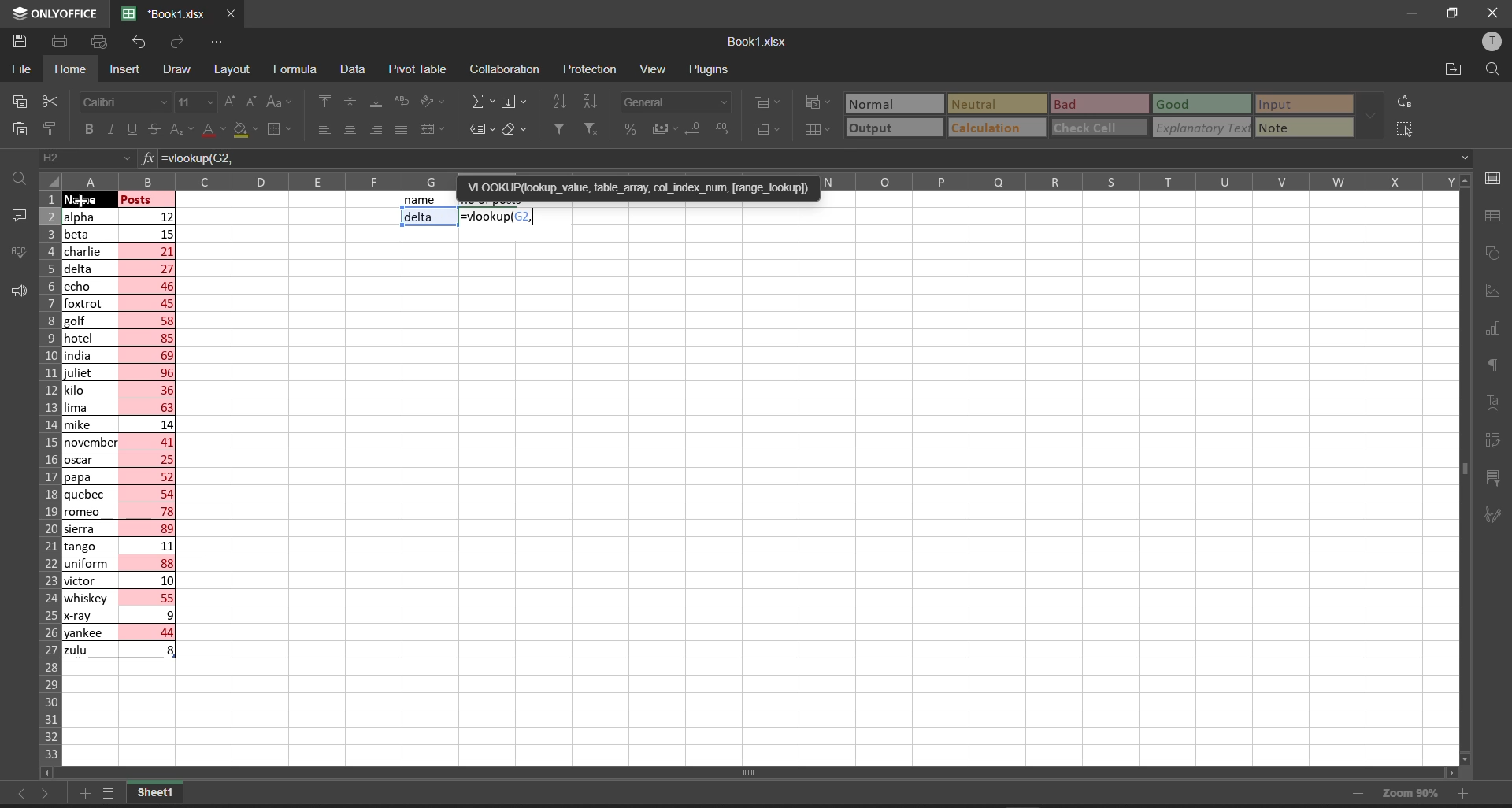  I want to click on check cell, so click(1092, 128).